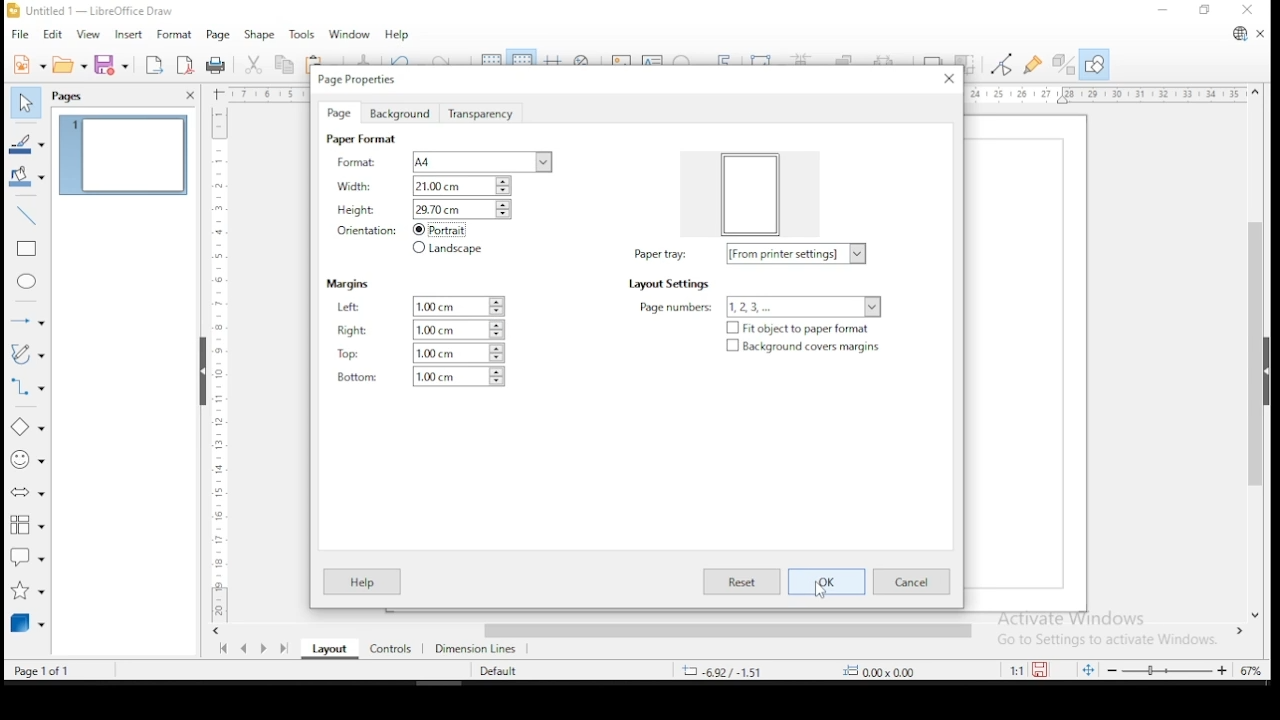 The image size is (1280, 720). What do you see at coordinates (584, 59) in the screenshot?
I see `pan and zoom` at bounding box center [584, 59].